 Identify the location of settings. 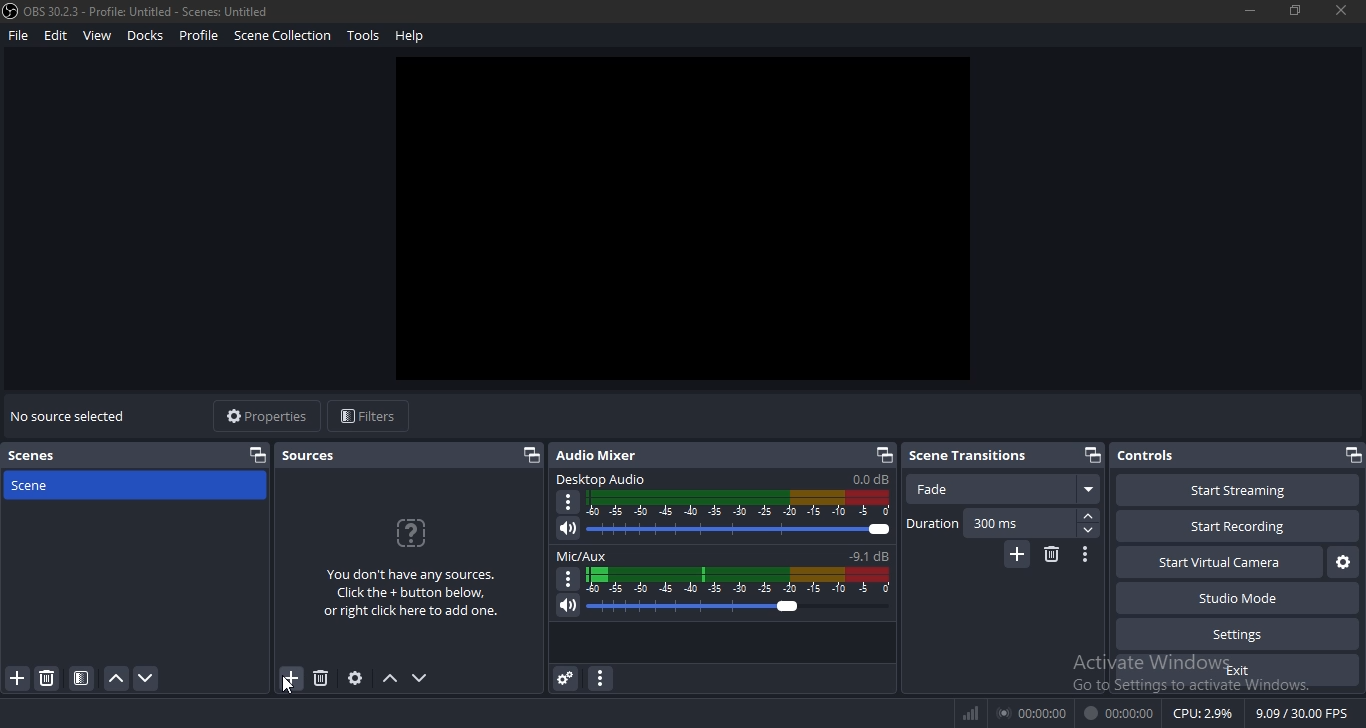
(1242, 634).